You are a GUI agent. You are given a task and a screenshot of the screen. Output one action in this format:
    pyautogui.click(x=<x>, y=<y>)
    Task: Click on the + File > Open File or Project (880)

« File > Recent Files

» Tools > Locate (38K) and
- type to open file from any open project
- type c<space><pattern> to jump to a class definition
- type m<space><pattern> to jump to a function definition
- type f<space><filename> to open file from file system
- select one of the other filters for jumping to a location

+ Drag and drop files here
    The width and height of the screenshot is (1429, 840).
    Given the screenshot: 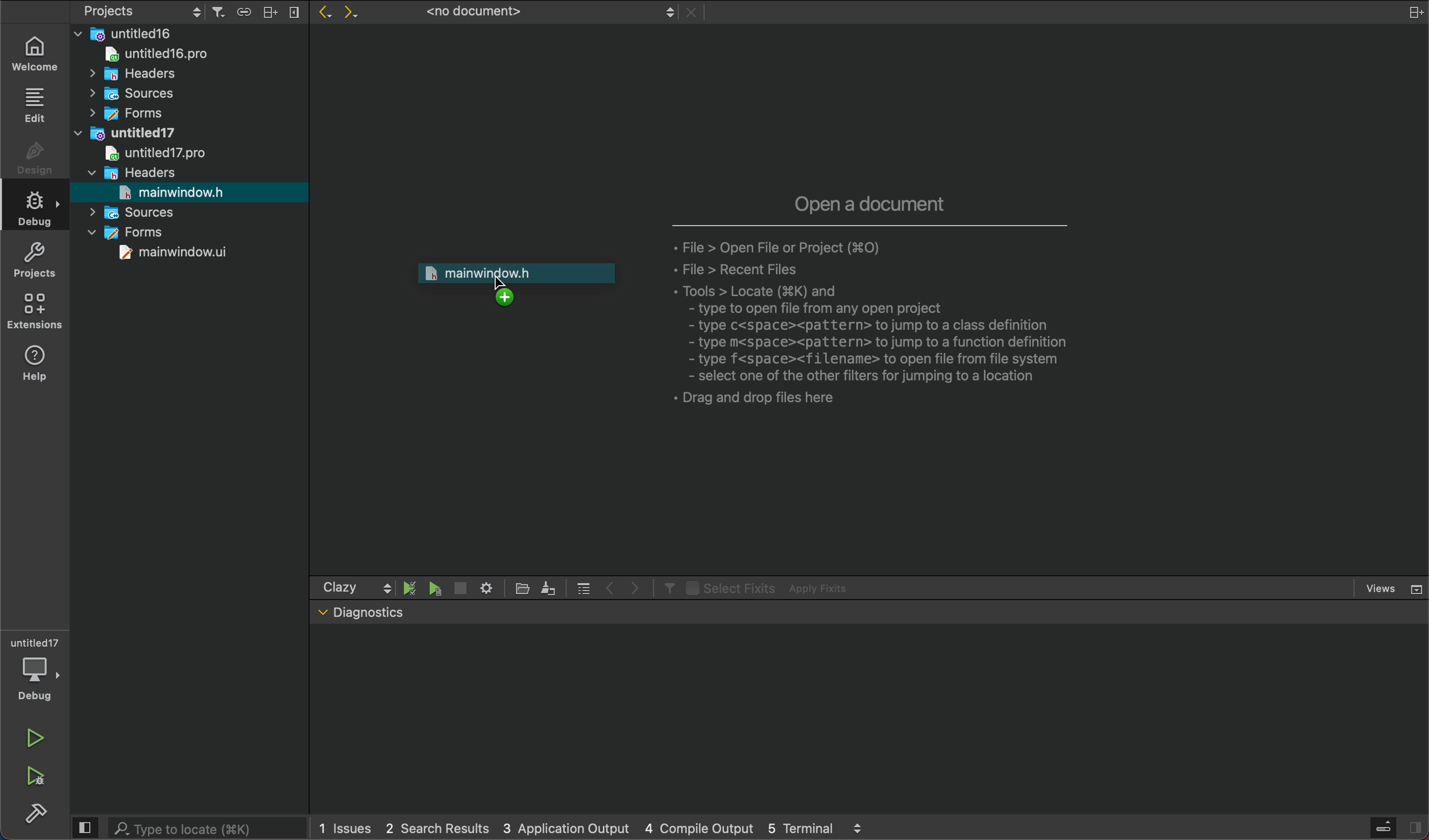 What is the action you would take?
    pyautogui.click(x=888, y=329)
    